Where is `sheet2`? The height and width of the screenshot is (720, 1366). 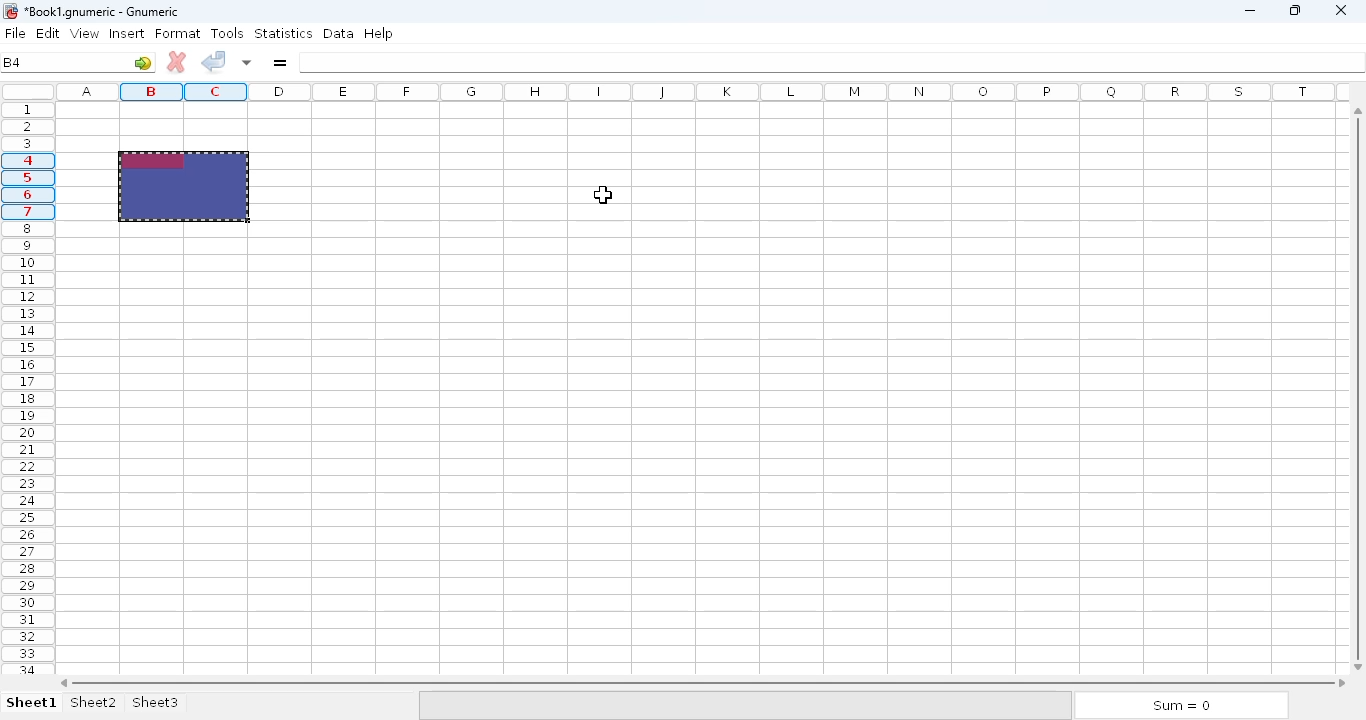 sheet2 is located at coordinates (93, 703).